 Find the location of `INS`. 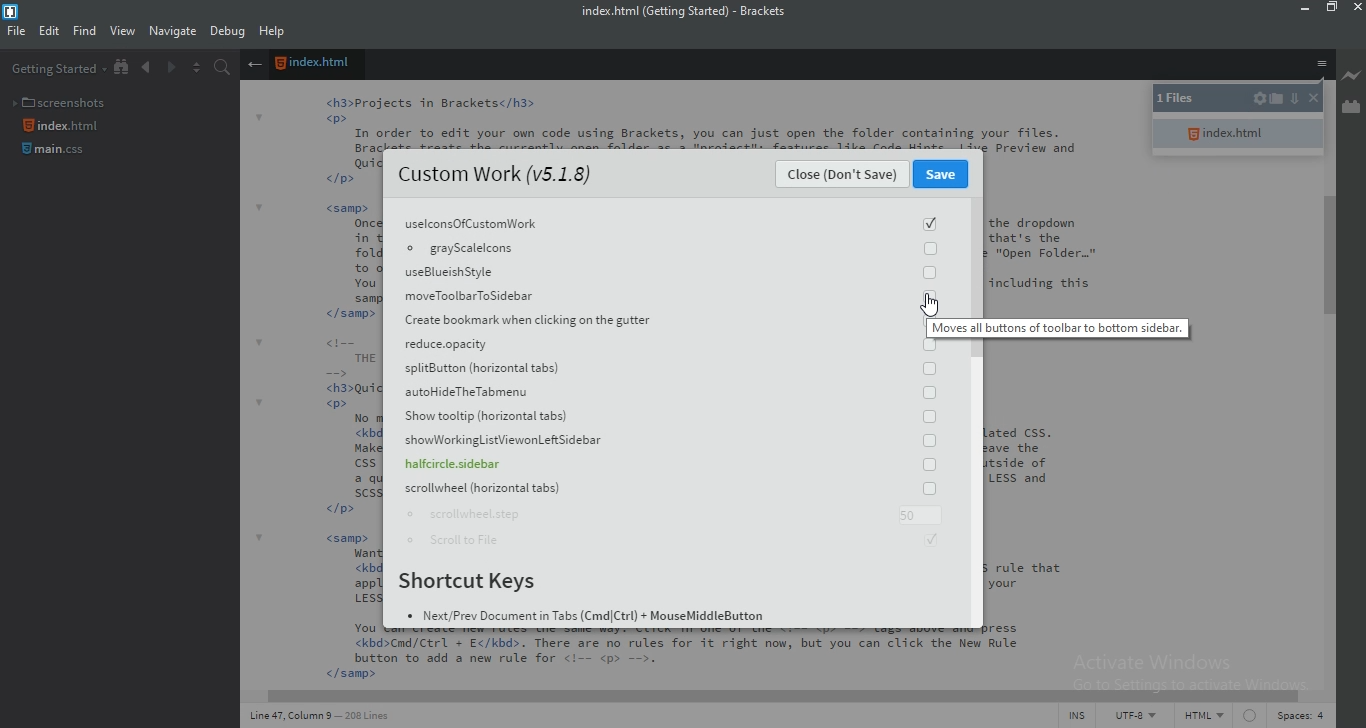

INS is located at coordinates (1080, 717).